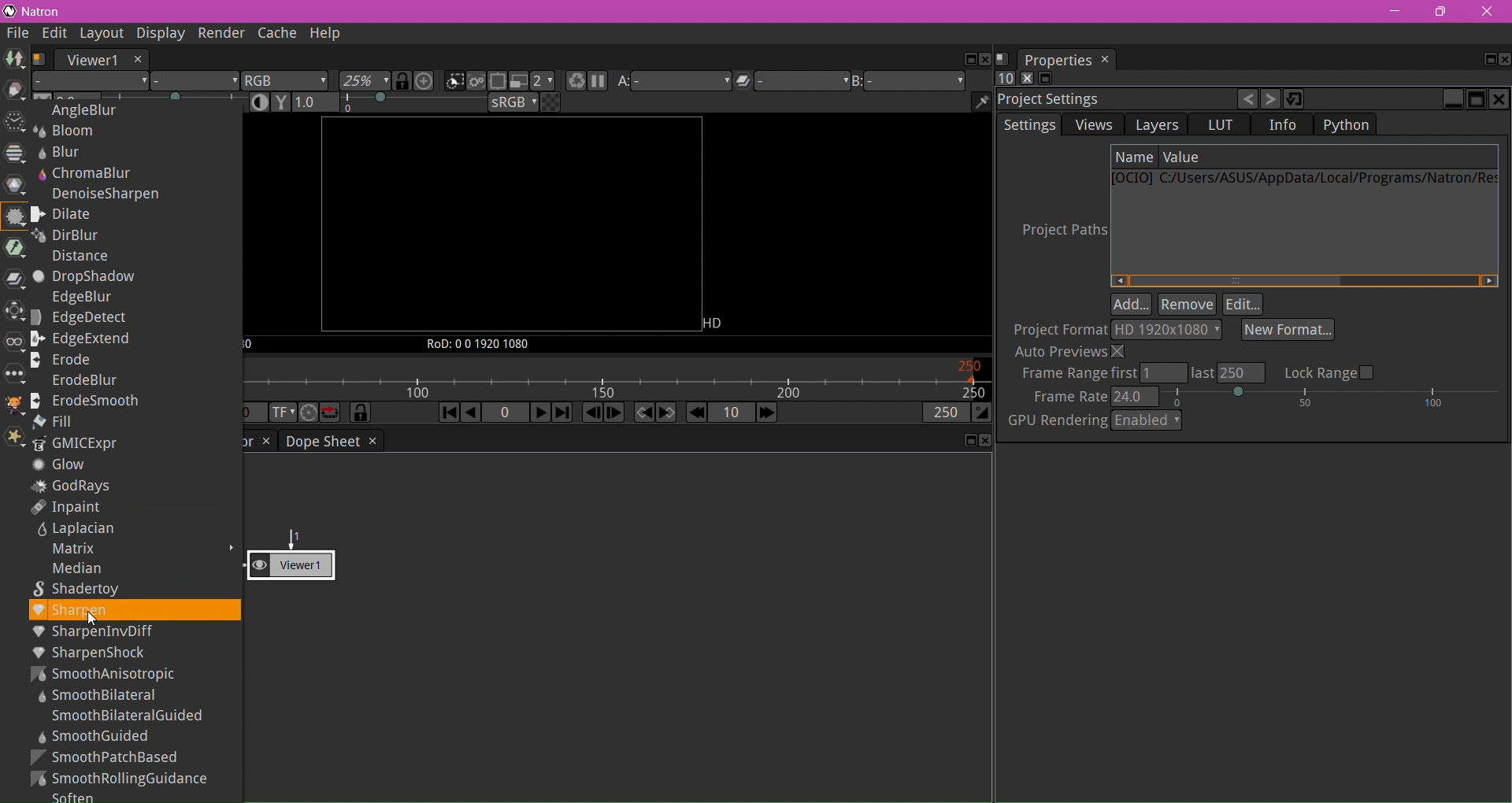  Describe the element at coordinates (219, 33) in the screenshot. I see `Render` at that location.